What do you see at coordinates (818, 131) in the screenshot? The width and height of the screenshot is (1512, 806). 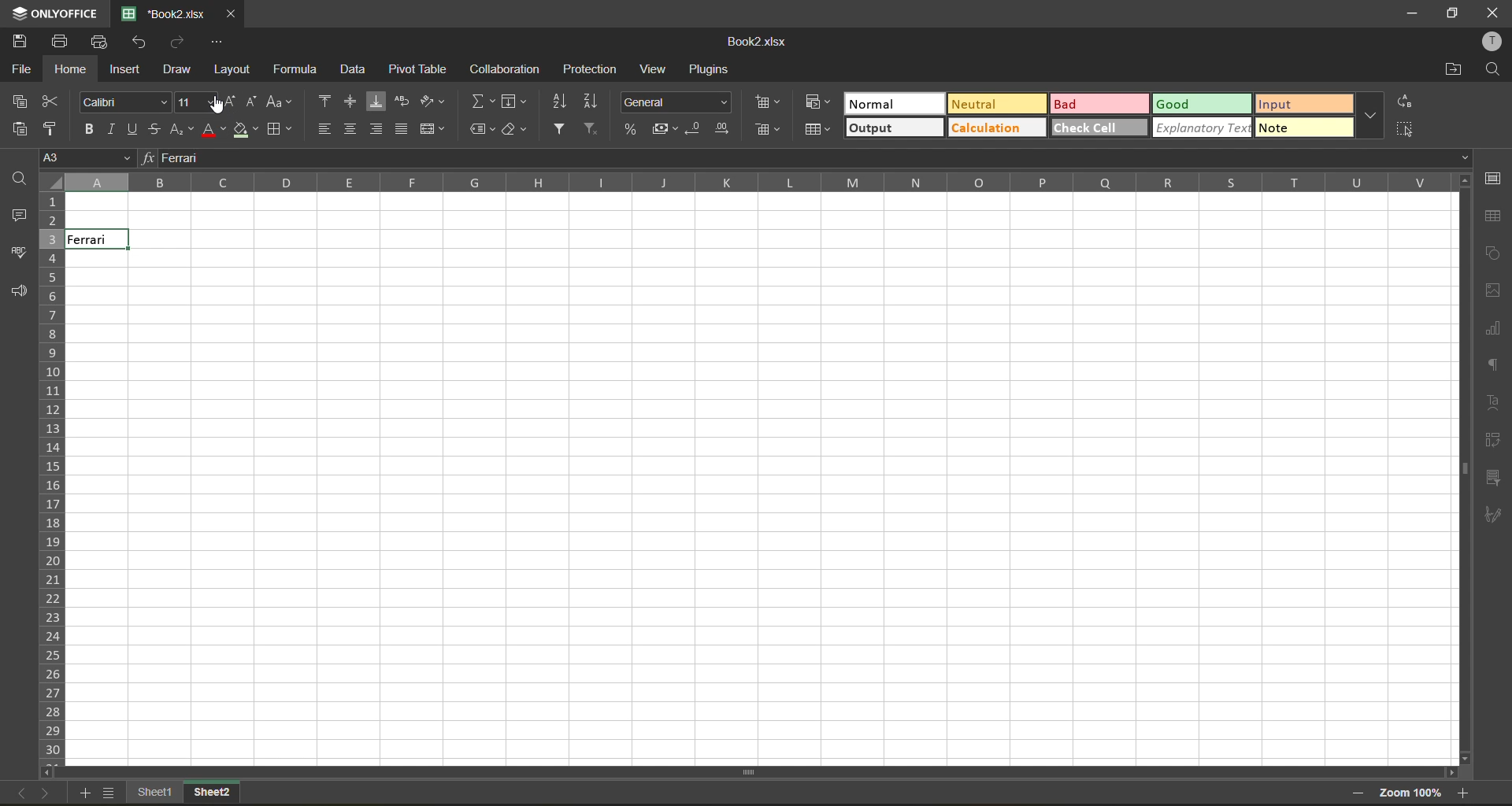 I see `format as table` at bounding box center [818, 131].